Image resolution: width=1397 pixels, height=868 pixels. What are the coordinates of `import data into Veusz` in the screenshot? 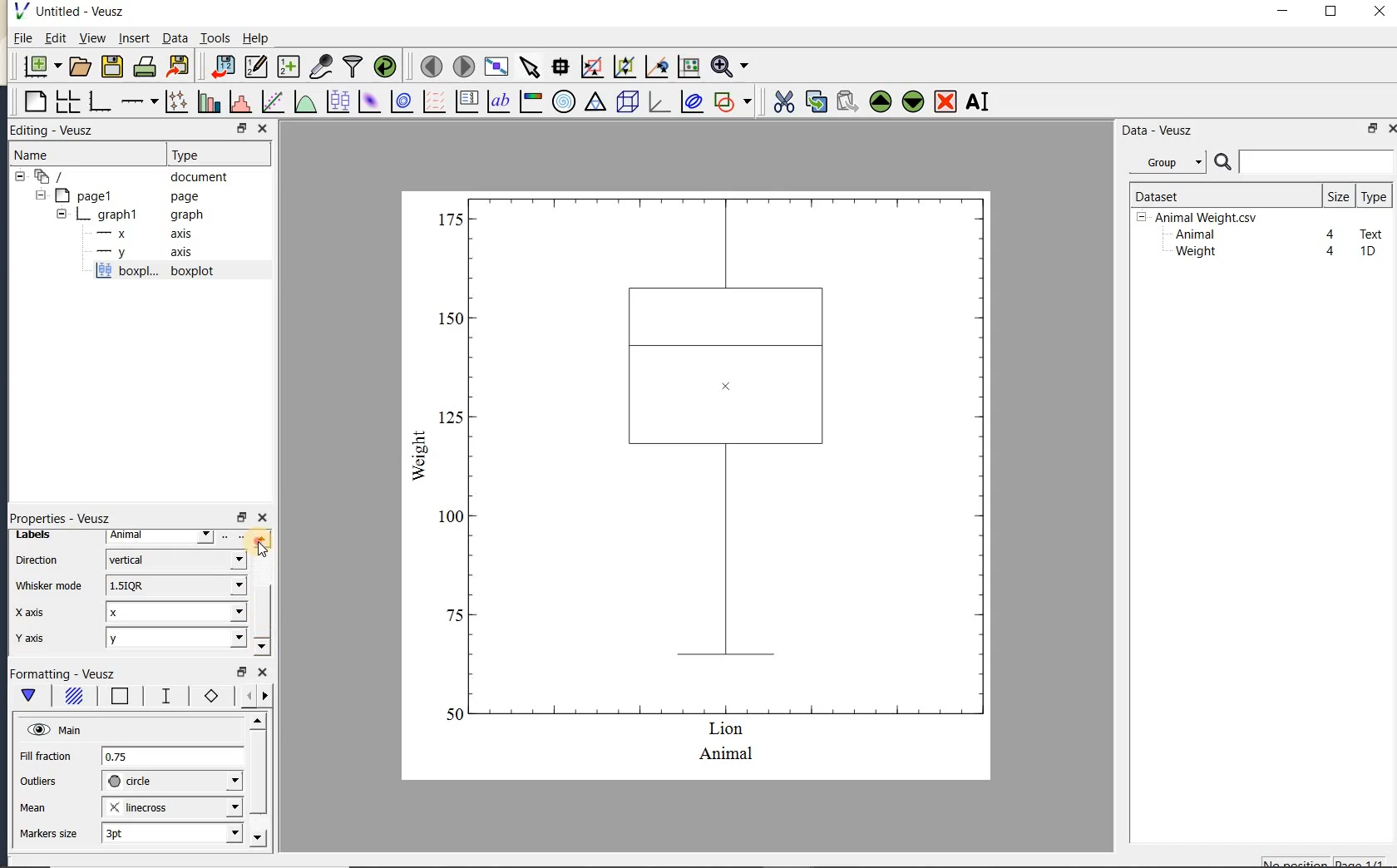 It's located at (223, 67).